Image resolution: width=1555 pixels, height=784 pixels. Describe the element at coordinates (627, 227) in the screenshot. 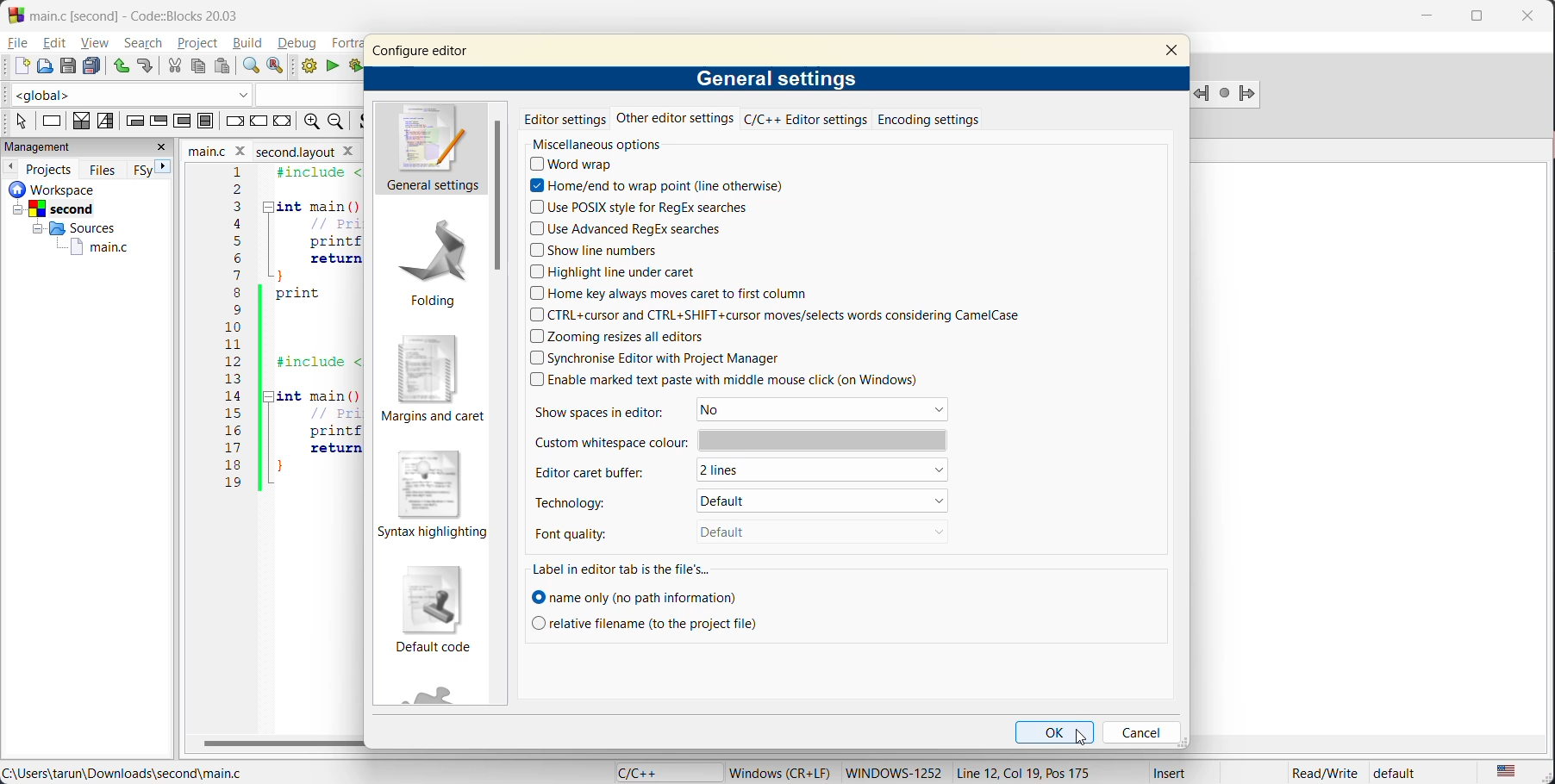

I see `use advanced regex searches` at that location.